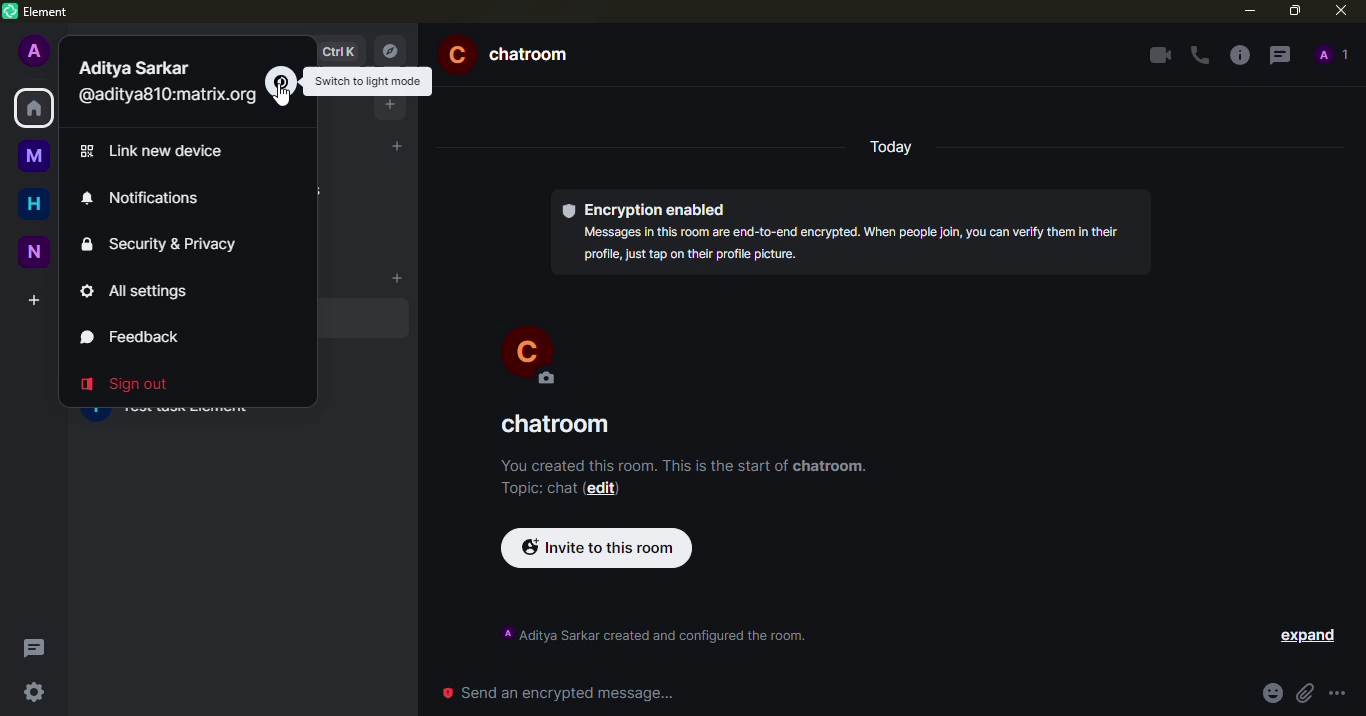 This screenshot has height=716, width=1366. What do you see at coordinates (1268, 695) in the screenshot?
I see `emoji` at bounding box center [1268, 695].